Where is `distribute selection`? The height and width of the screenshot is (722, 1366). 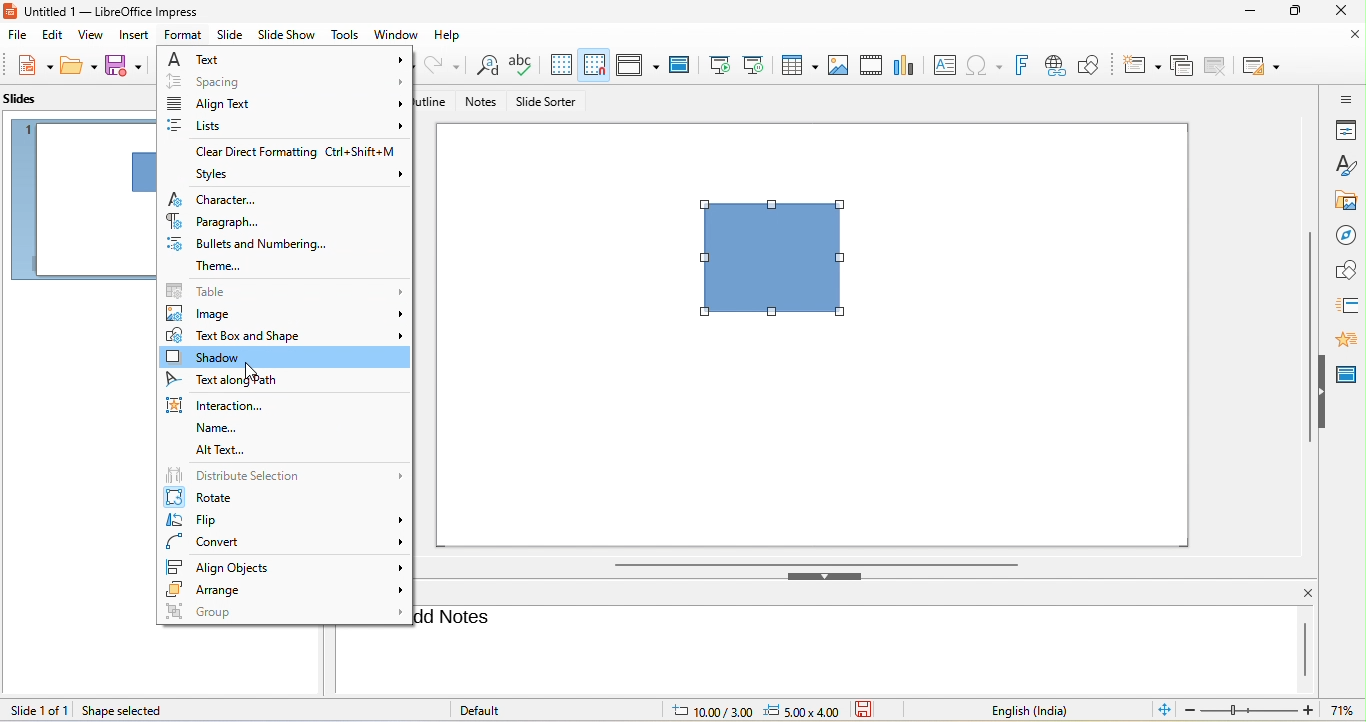 distribute selection is located at coordinates (283, 474).